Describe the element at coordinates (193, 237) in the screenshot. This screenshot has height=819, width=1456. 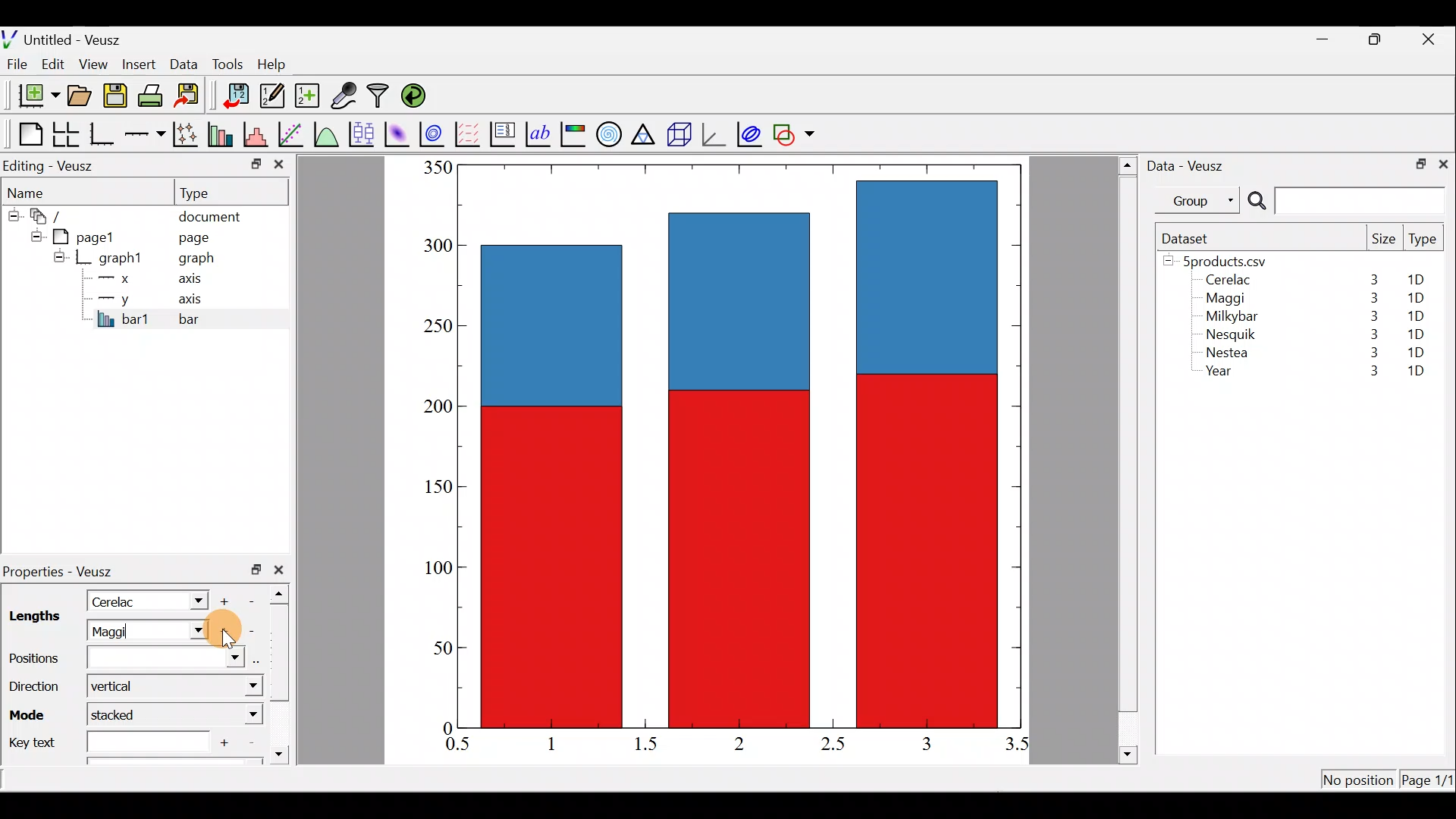
I see `page` at that location.